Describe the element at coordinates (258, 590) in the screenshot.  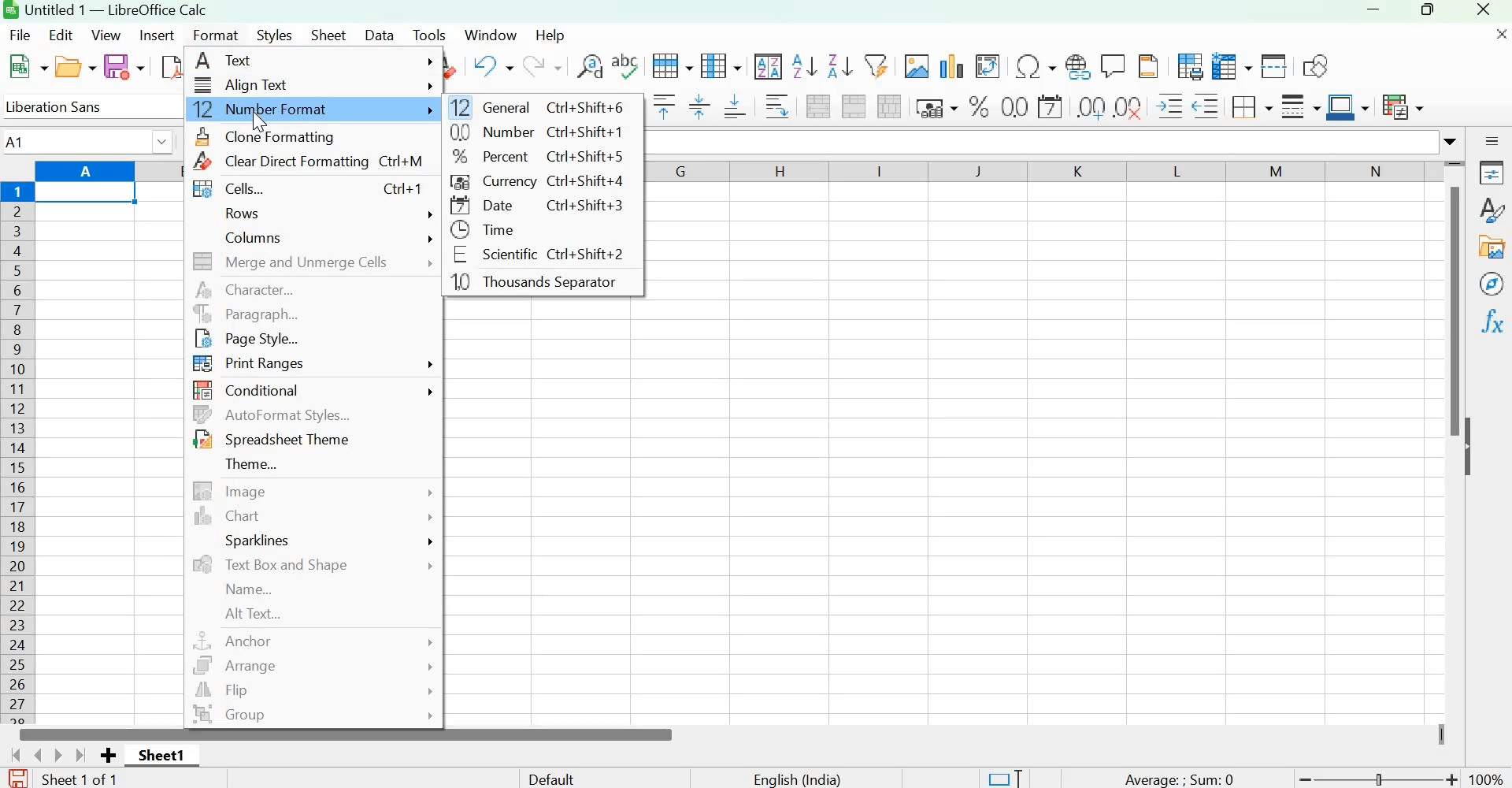
I see `Name` at that location.